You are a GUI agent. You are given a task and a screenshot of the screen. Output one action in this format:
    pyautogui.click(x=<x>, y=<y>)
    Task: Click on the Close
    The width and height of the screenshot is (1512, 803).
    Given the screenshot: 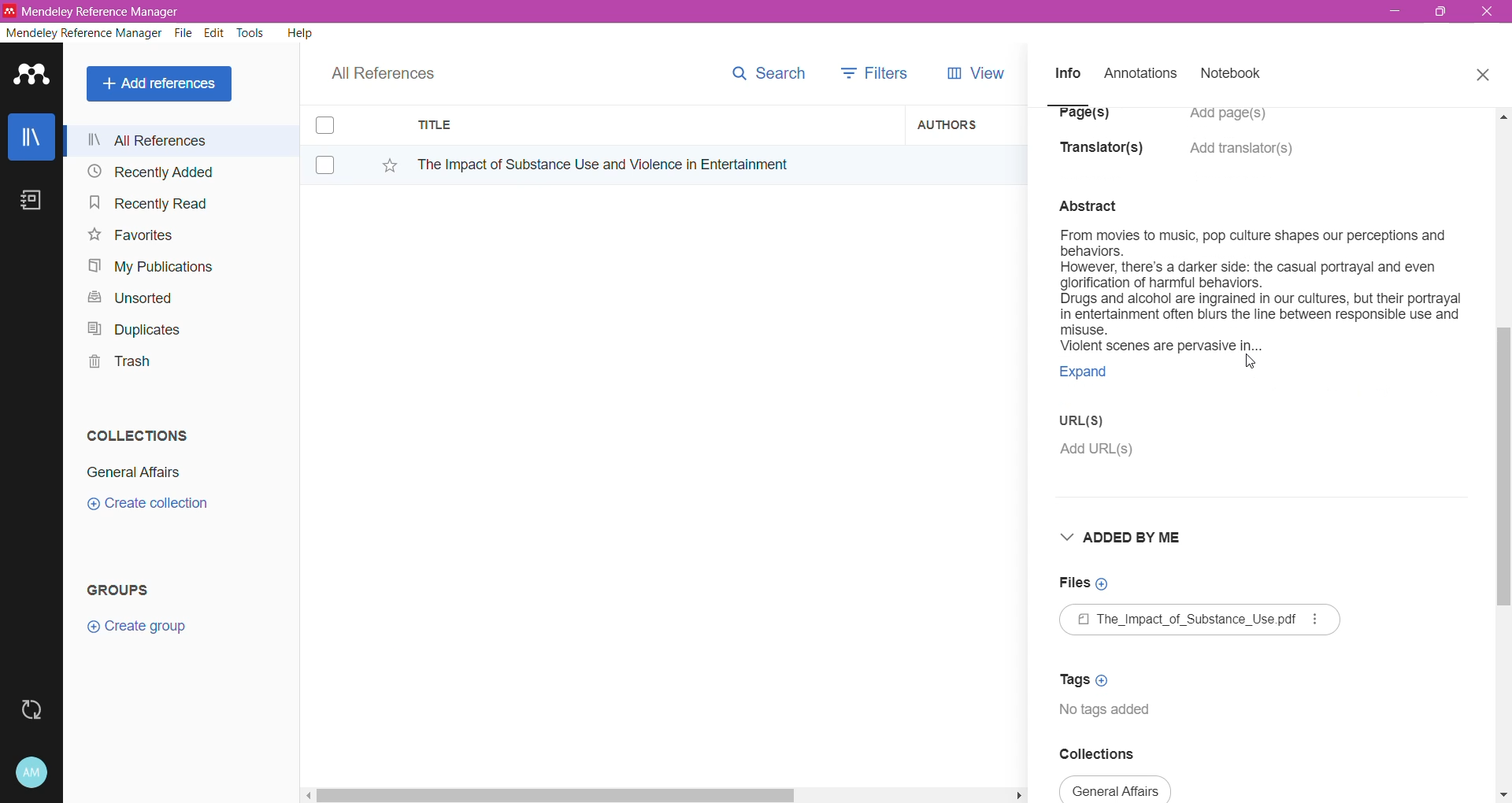 What is the action you would take?
    pyautogui.click(x=1482, y=72)
    